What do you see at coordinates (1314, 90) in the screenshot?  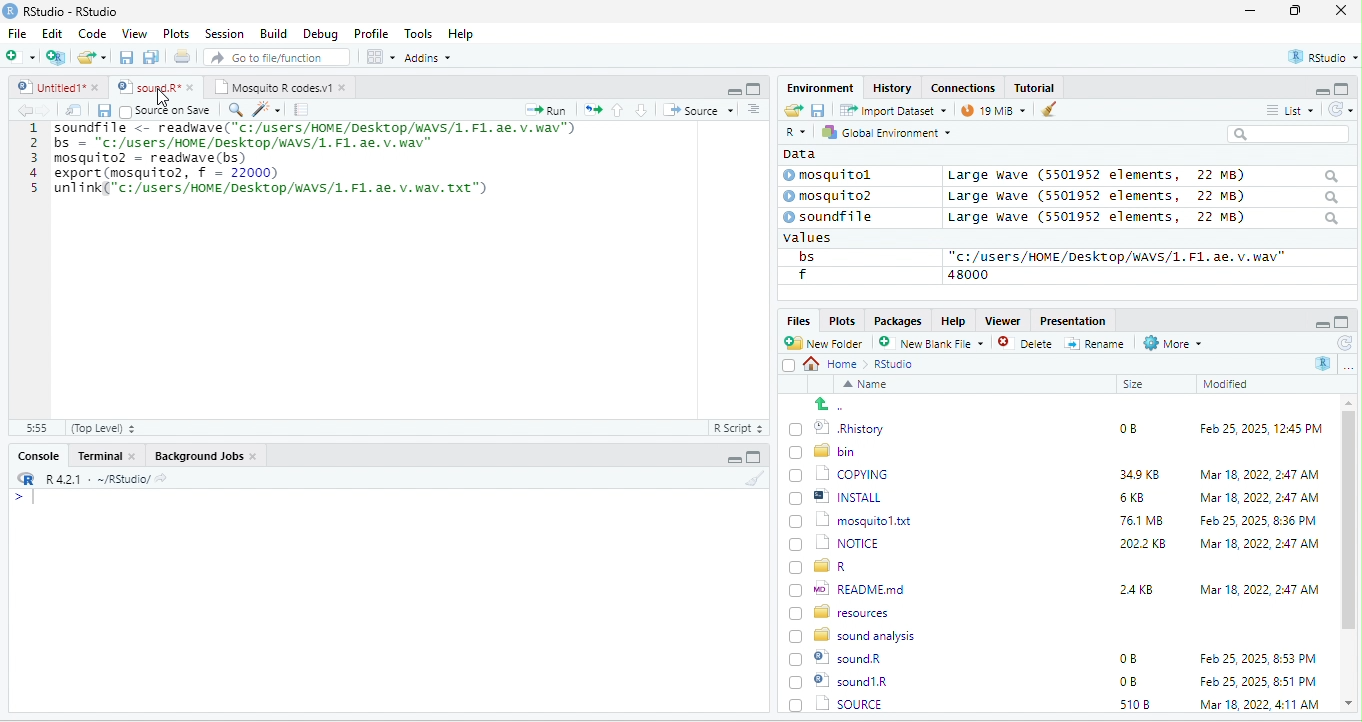 I see `minimize` at bounding box center [1314, 90].